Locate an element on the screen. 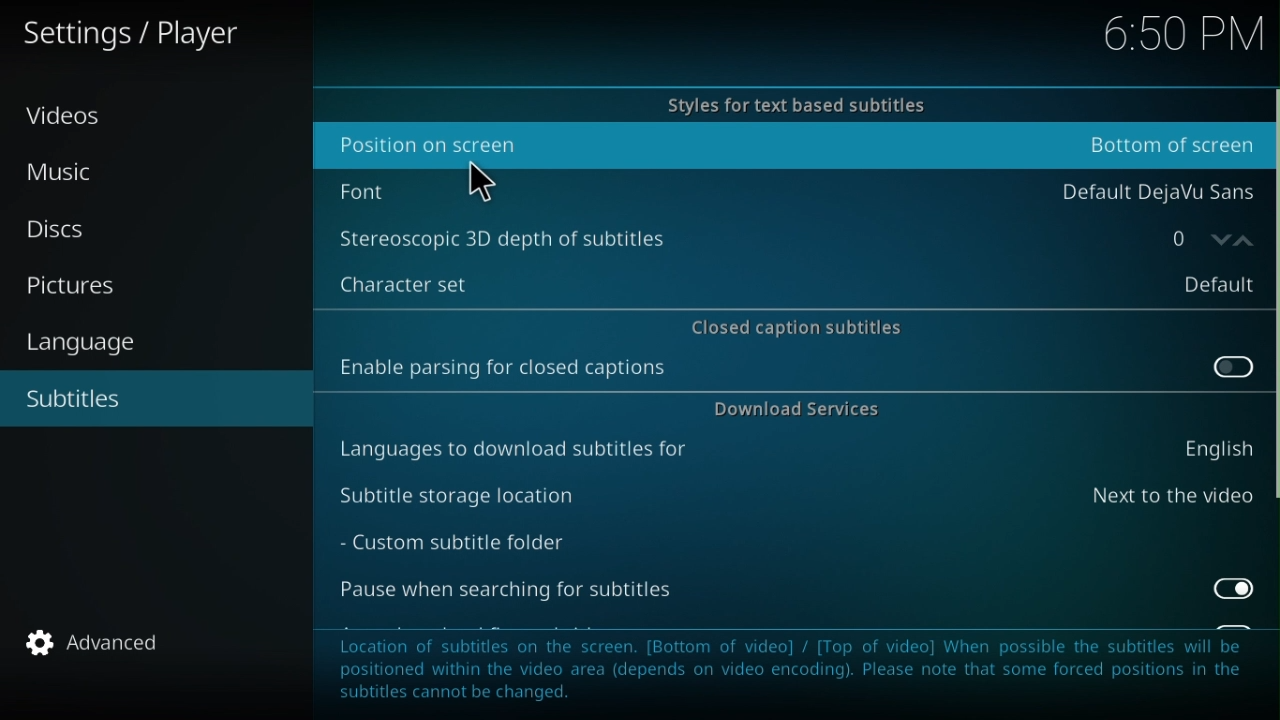 The image size is (1280, 720). number input is located at coordinates (1197, 237).